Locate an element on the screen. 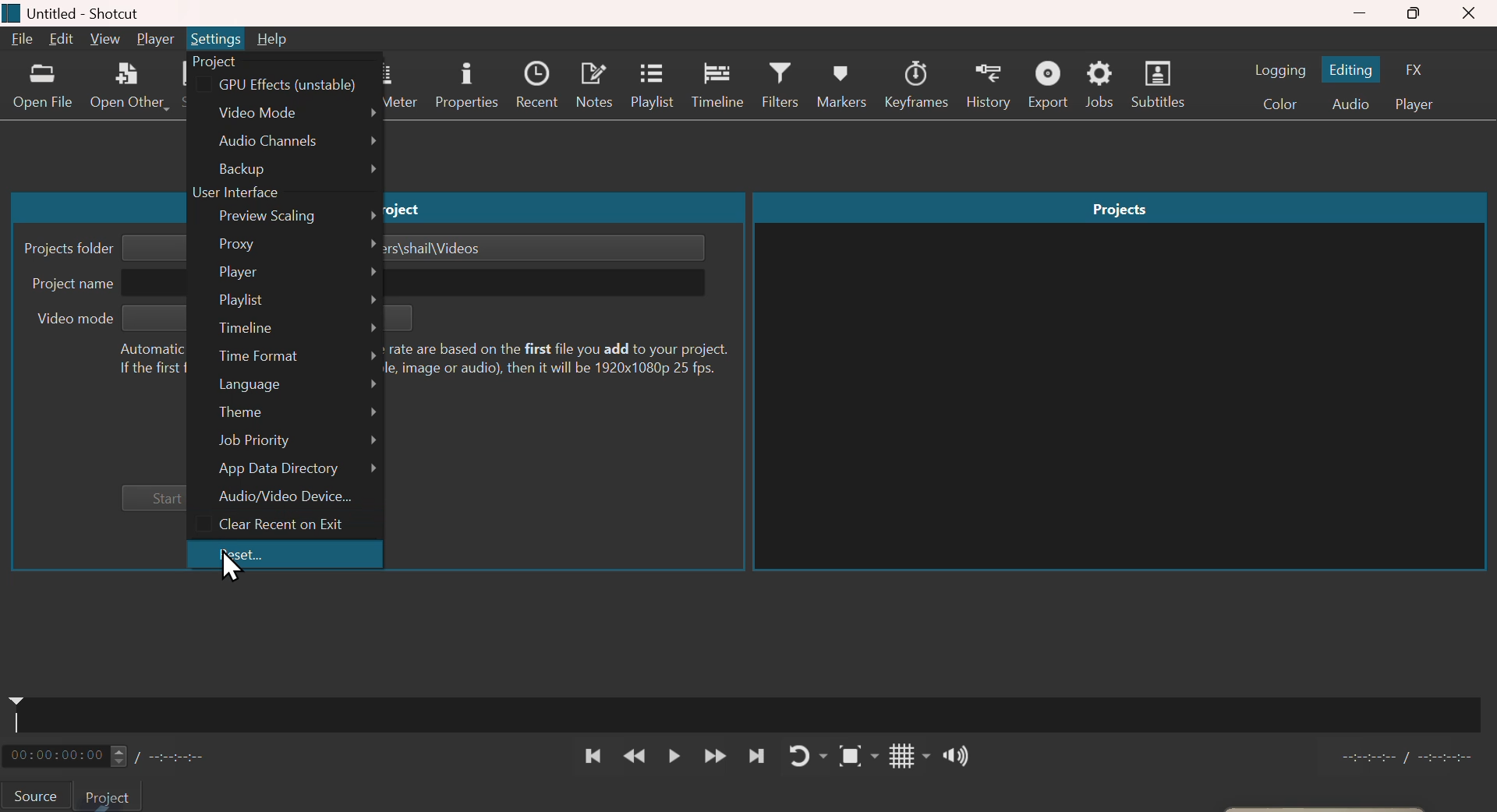  Cursor is located at coordinates (233, 565).